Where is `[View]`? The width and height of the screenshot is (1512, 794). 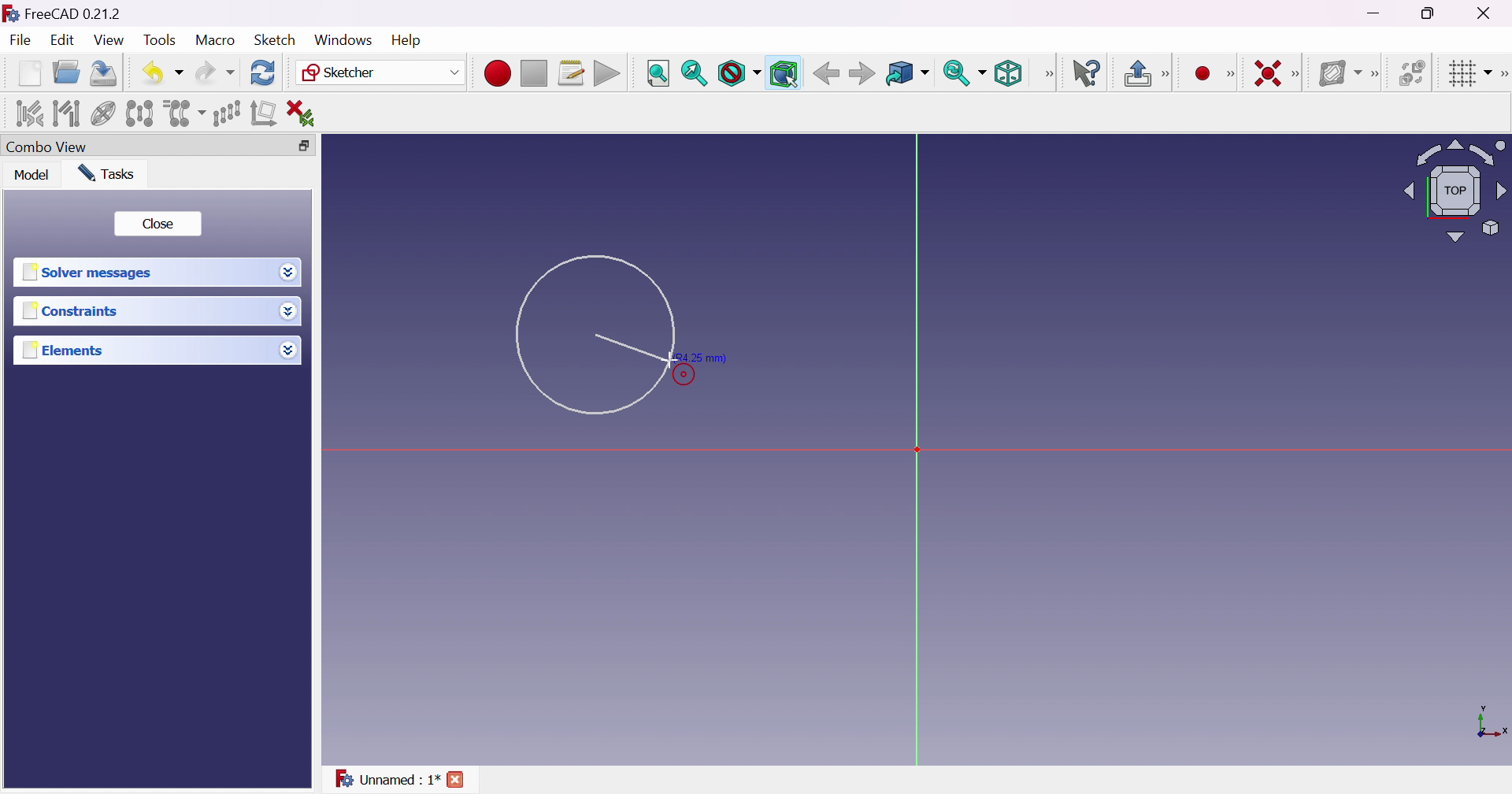
[View] is located at coordinates (1047, 75).